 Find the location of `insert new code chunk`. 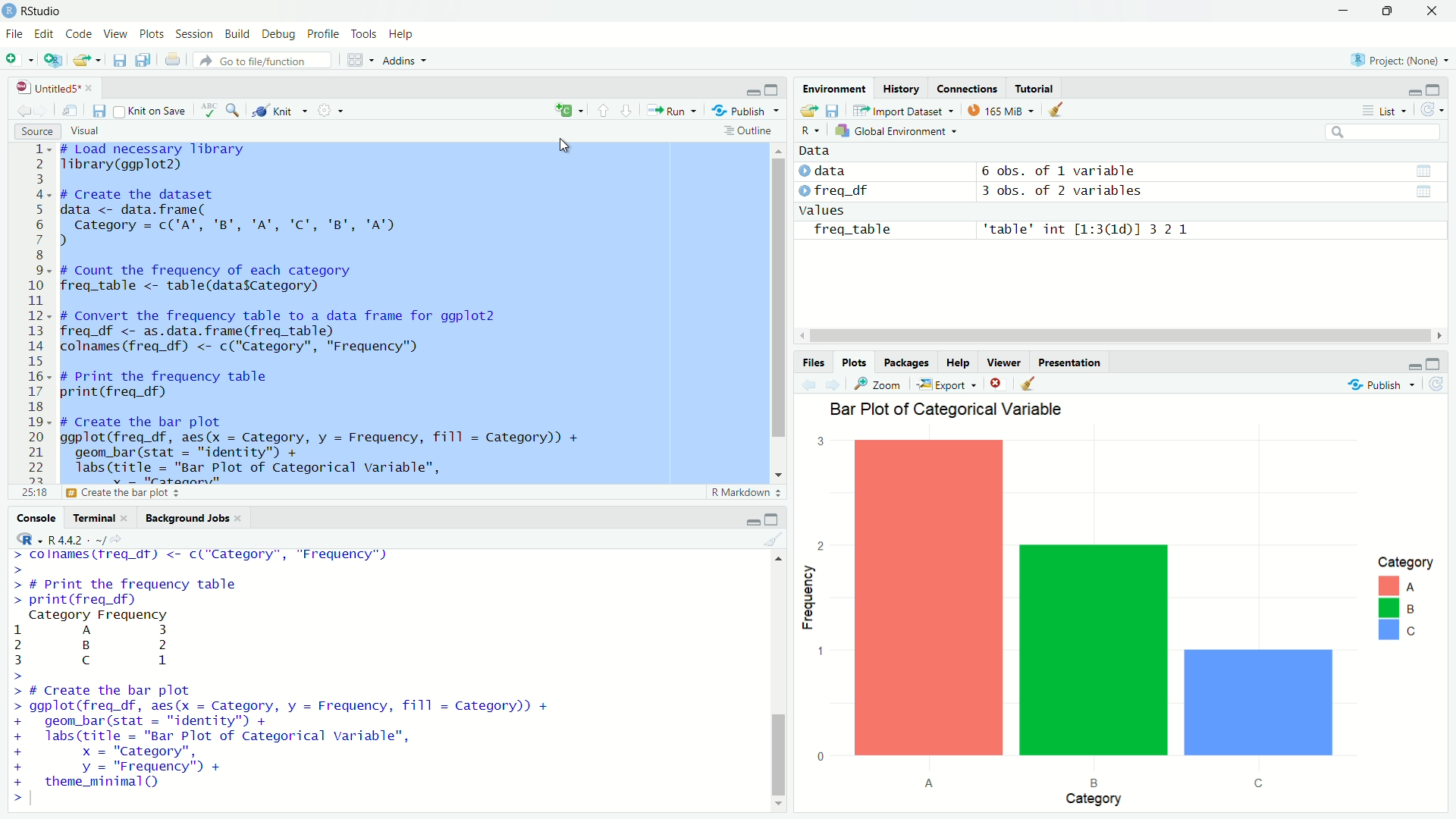

insert new code chunk is located at coordinates (567, 111).